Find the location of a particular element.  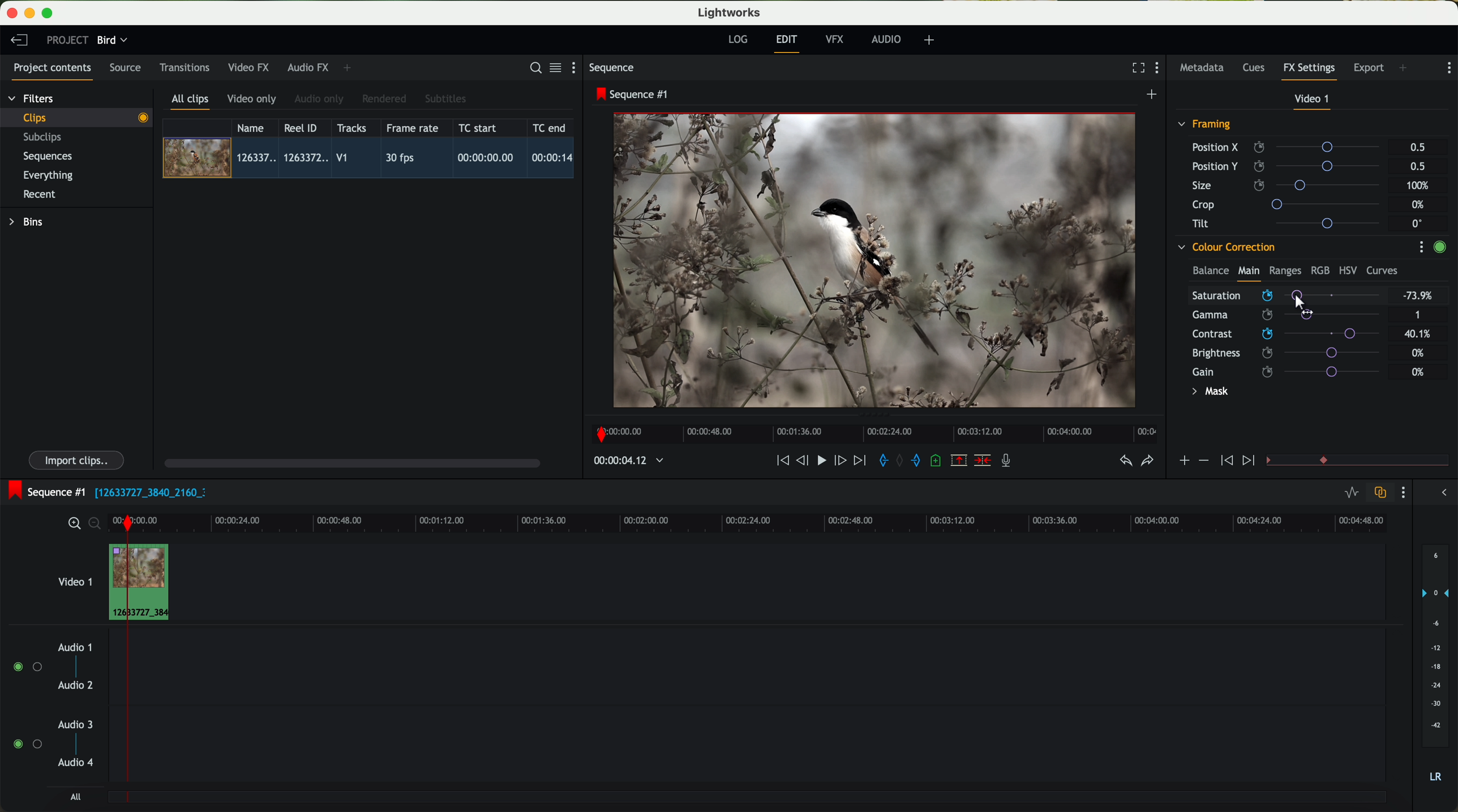

show settings menu is located at coordinates (1402, 492).